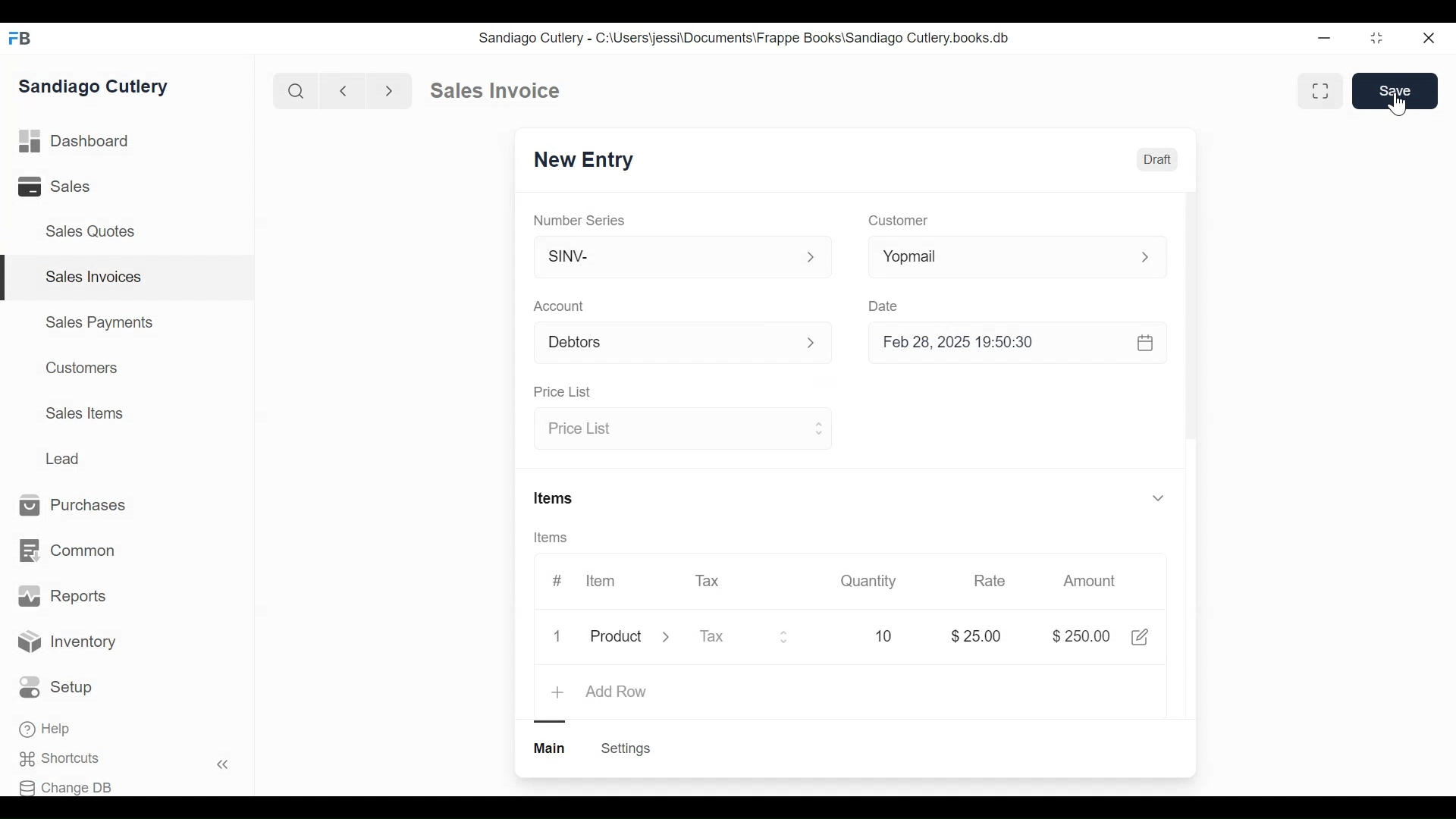 Image resolution: width=1456 pixels, height=819 pixels. I want to click on Dashboard, so click(75, 140).